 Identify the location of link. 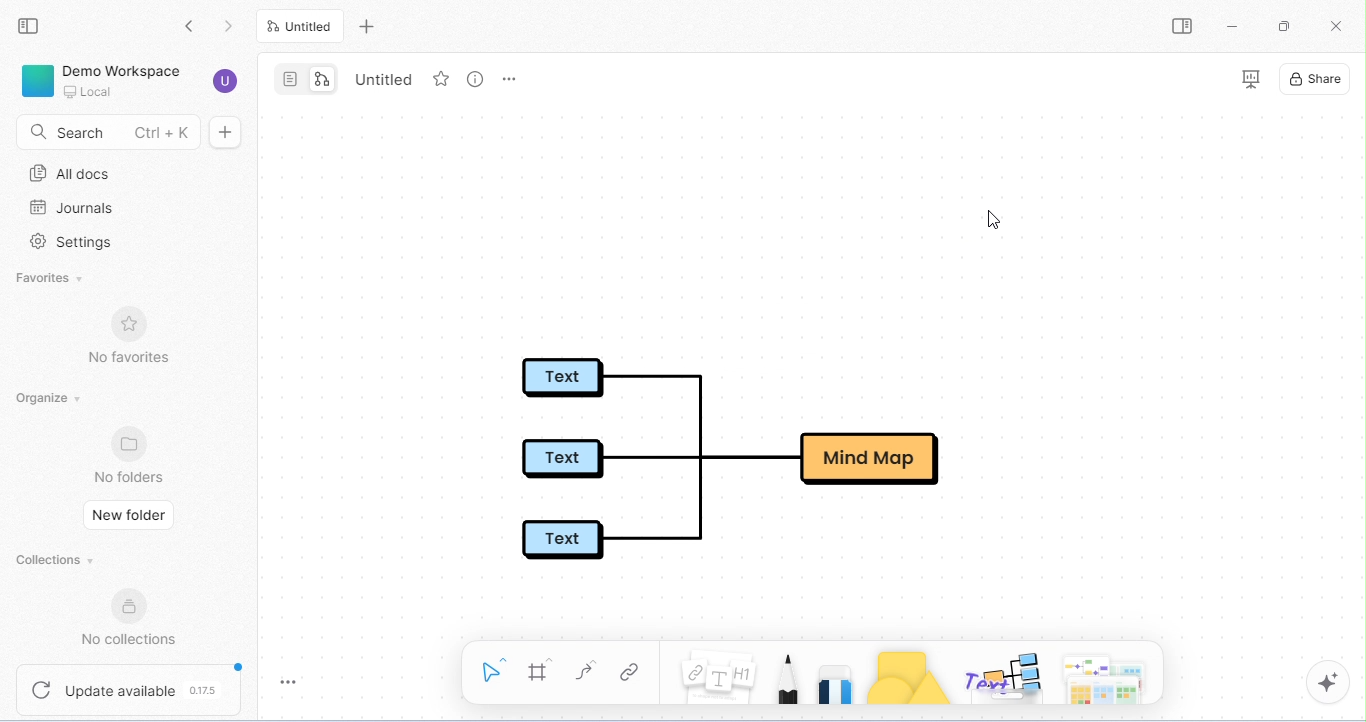
(627, 674).